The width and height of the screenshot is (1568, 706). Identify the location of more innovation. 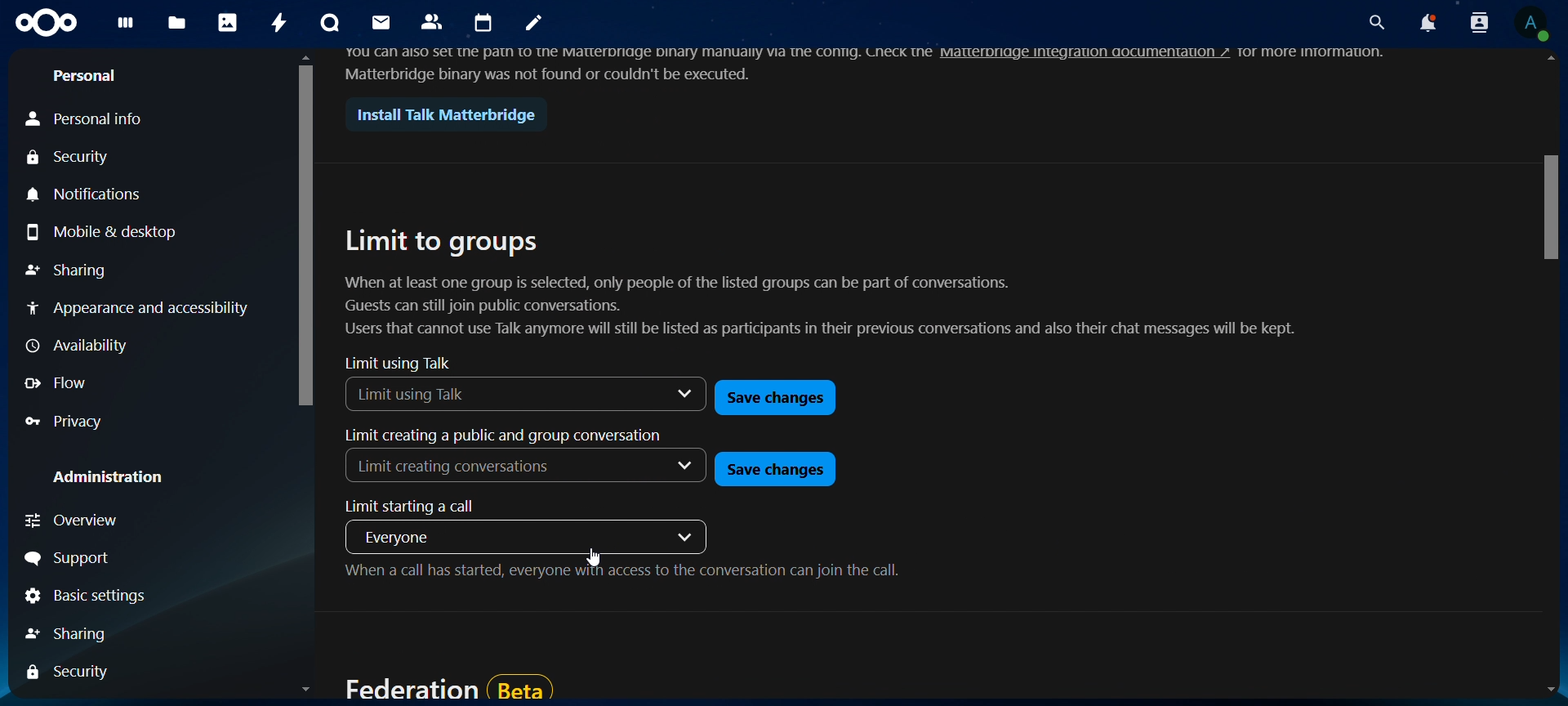
(1329, 52).